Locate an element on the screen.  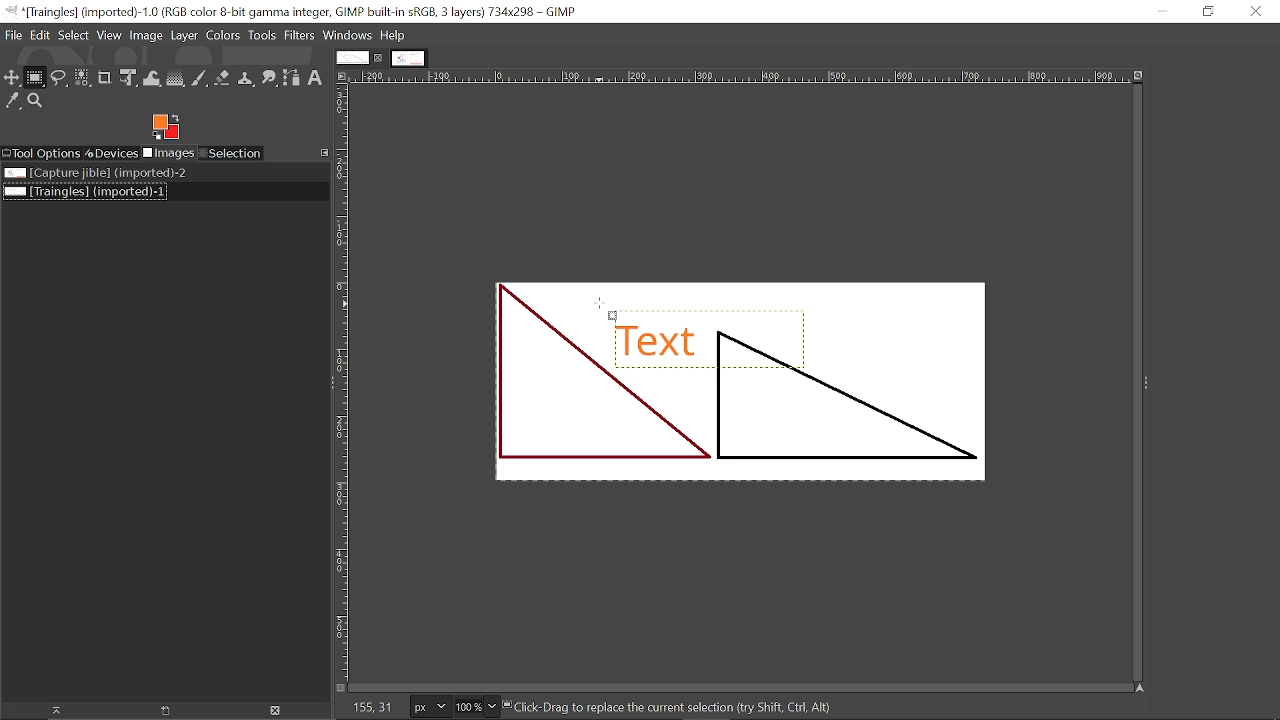
Select by color is located at coordinates (83, 79).